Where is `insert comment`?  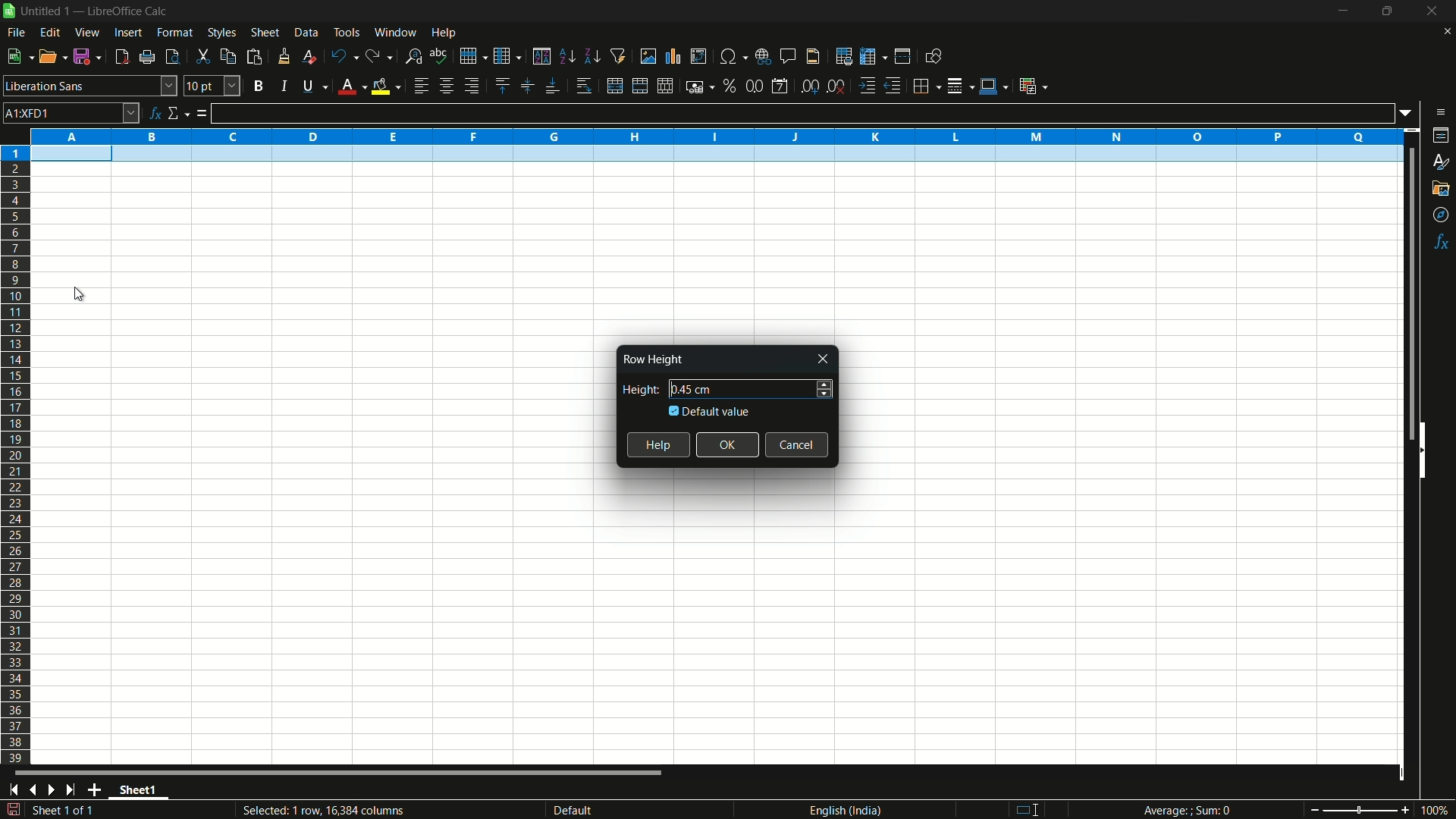
insert comment is located at coordinates (789, 56).